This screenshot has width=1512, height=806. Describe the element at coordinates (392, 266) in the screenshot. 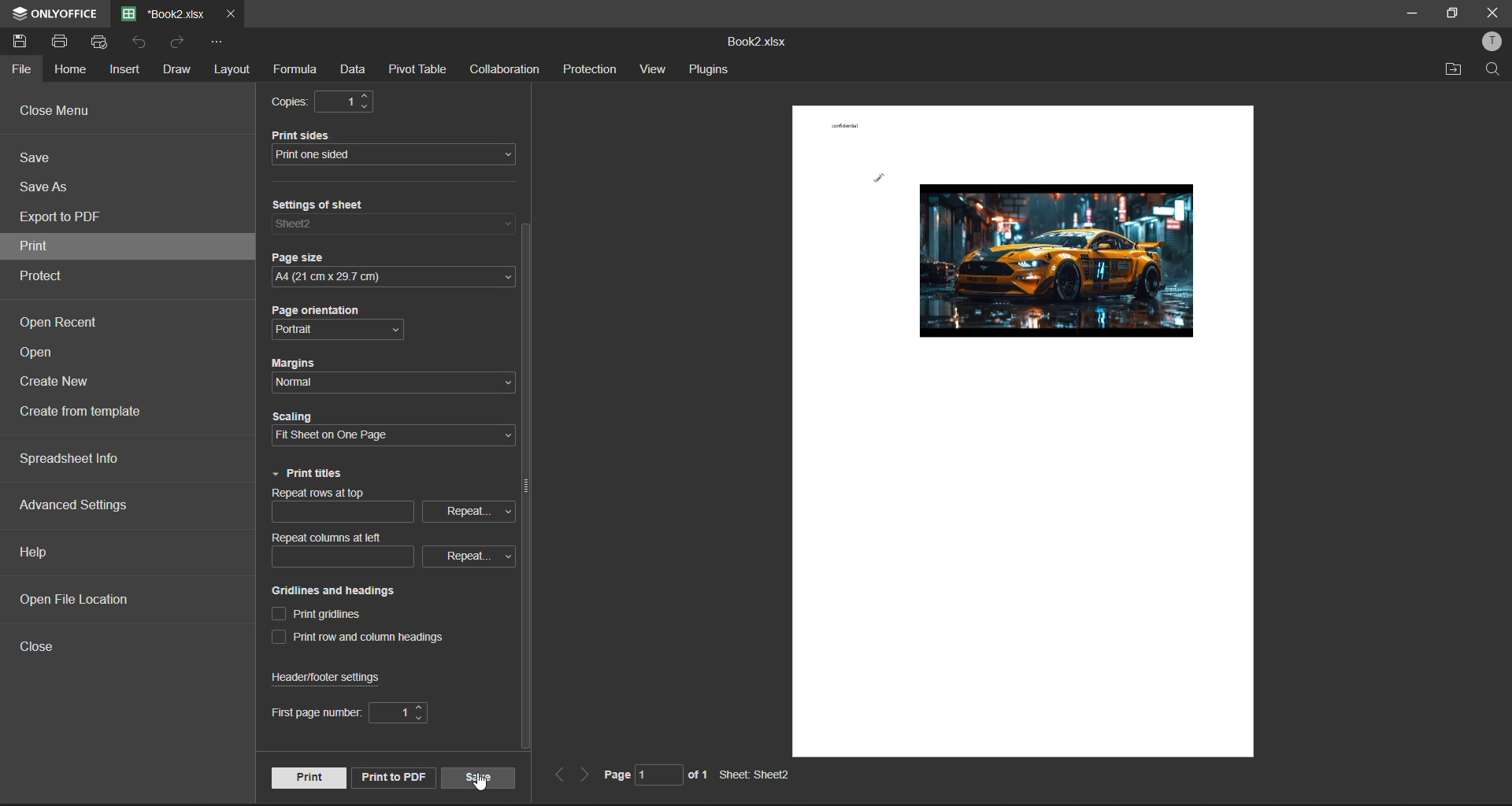

I see `page size` at that location.